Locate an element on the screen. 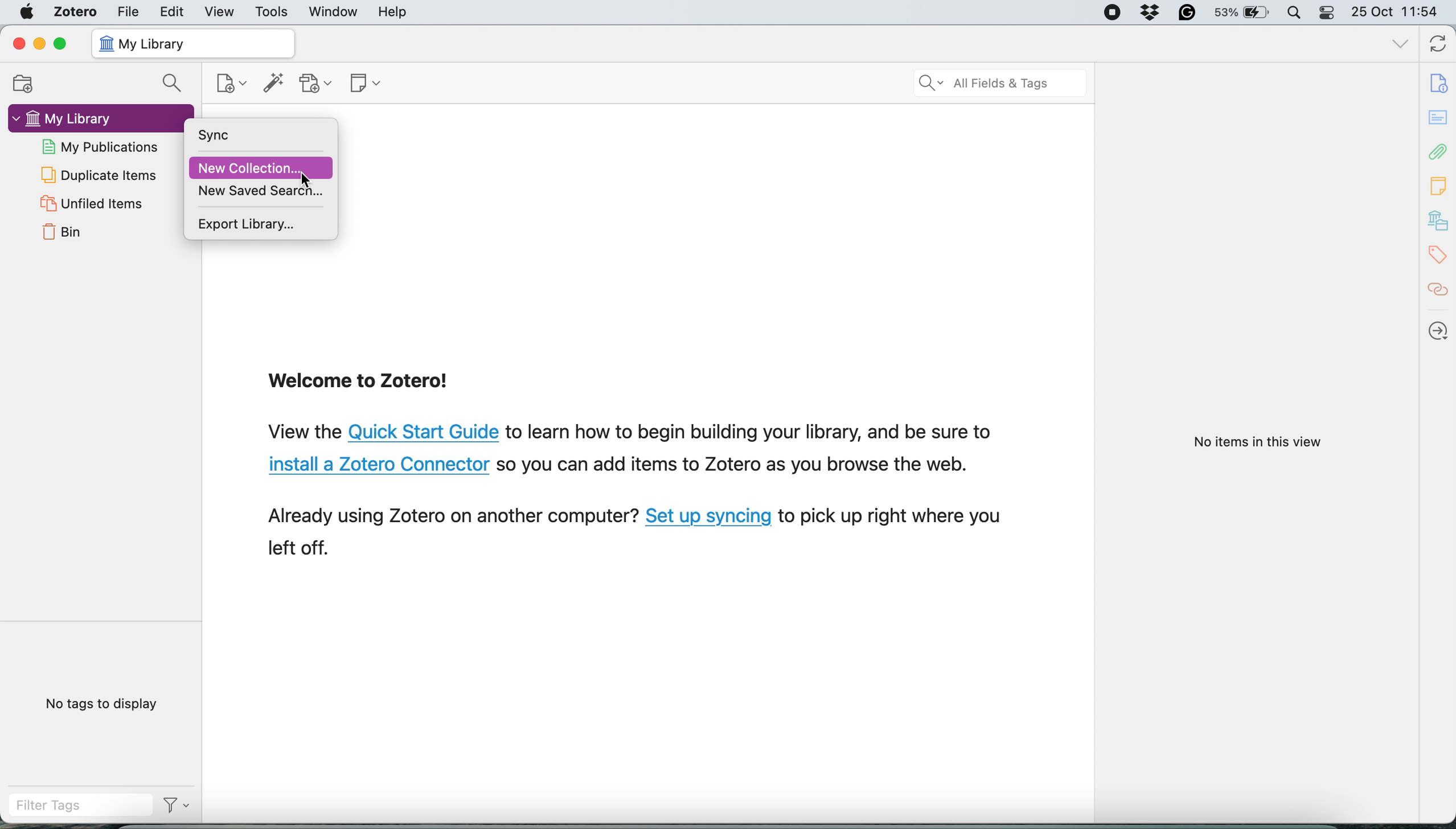 The height and width of the screenshot is (829, 1456). filter tags is located at coordinates (77, 809).